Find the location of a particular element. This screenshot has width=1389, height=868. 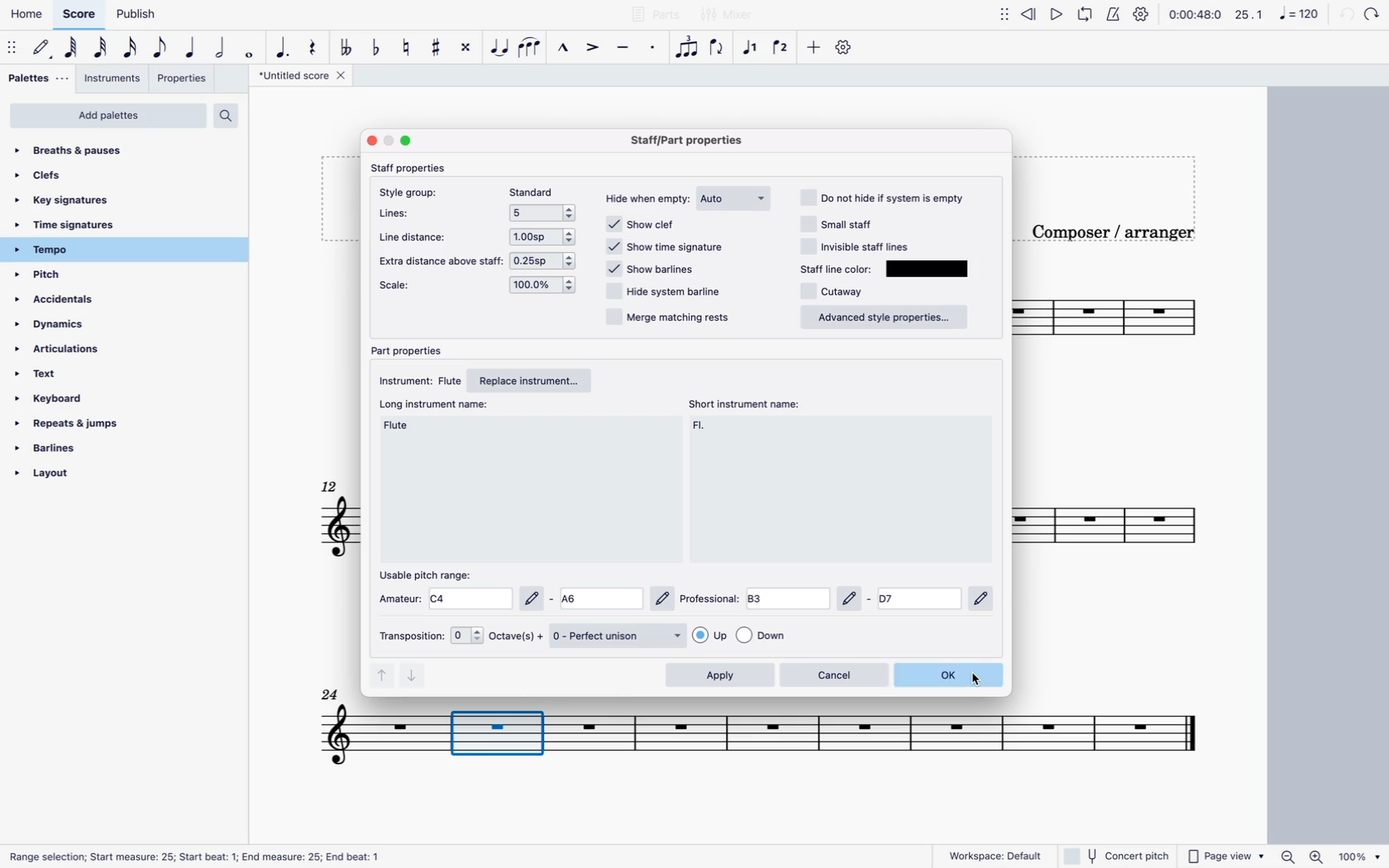

advanced style properties is located at coordinates (885, 319).